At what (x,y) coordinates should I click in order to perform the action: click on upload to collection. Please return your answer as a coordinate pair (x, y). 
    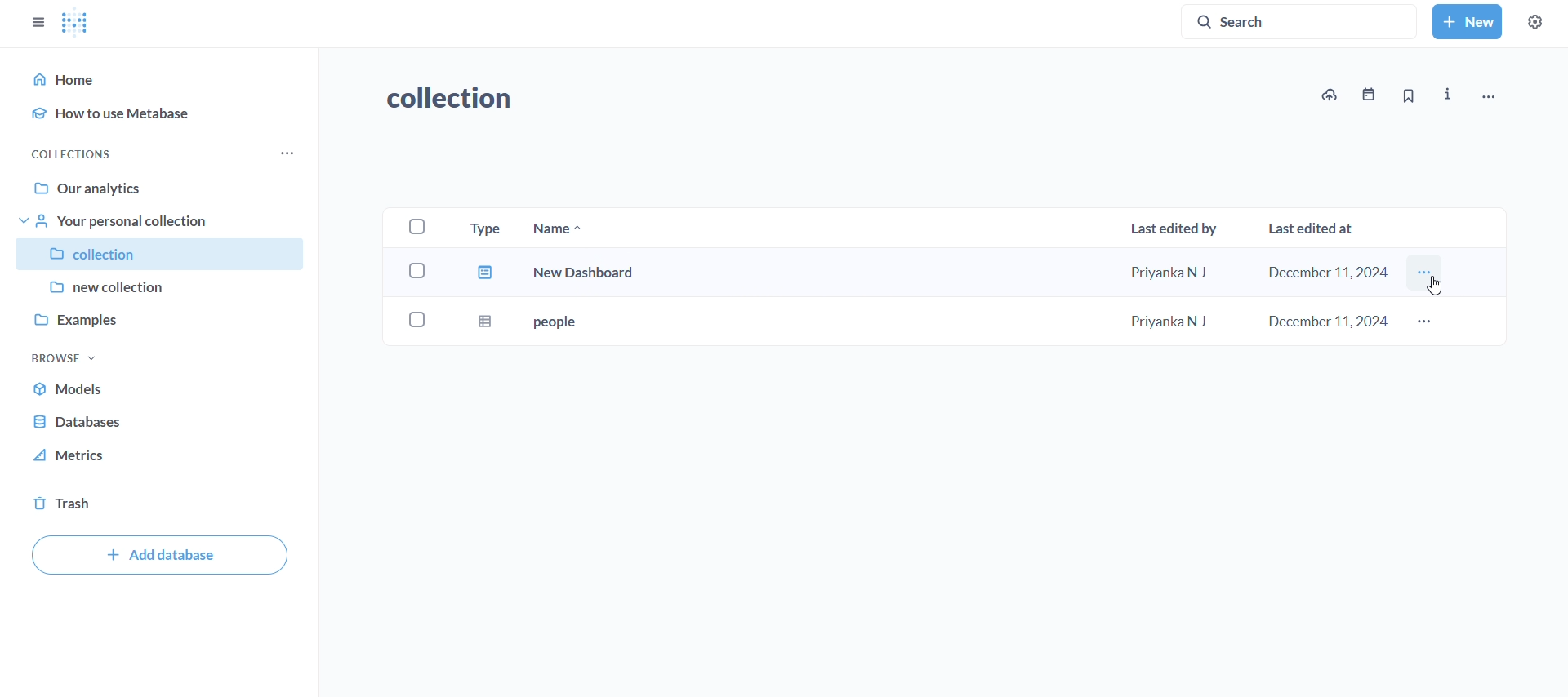
    Looking at the image, I should click on (1330, 95).